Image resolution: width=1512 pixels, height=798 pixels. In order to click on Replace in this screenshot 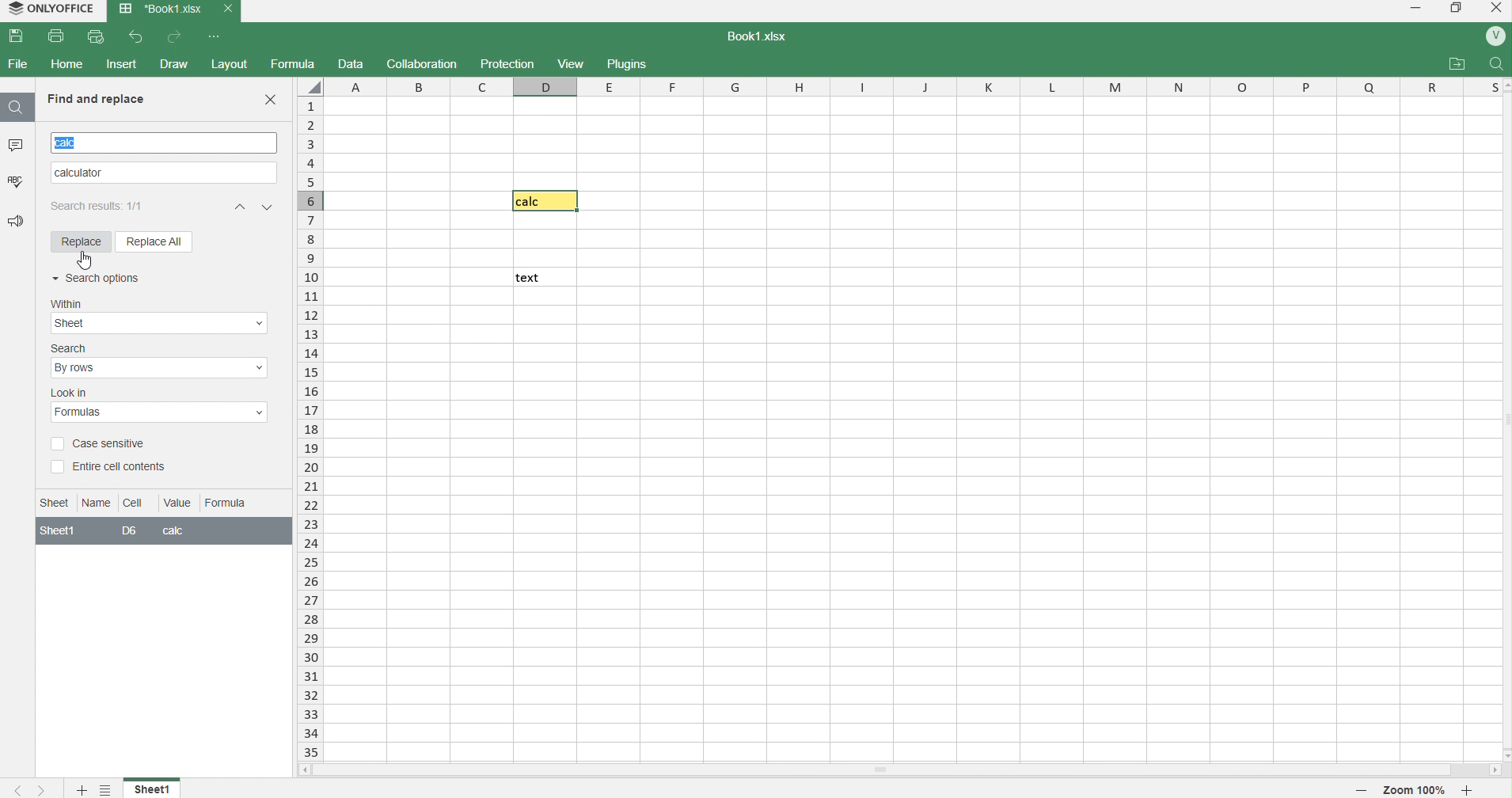, I will do `click(80, 241)`.